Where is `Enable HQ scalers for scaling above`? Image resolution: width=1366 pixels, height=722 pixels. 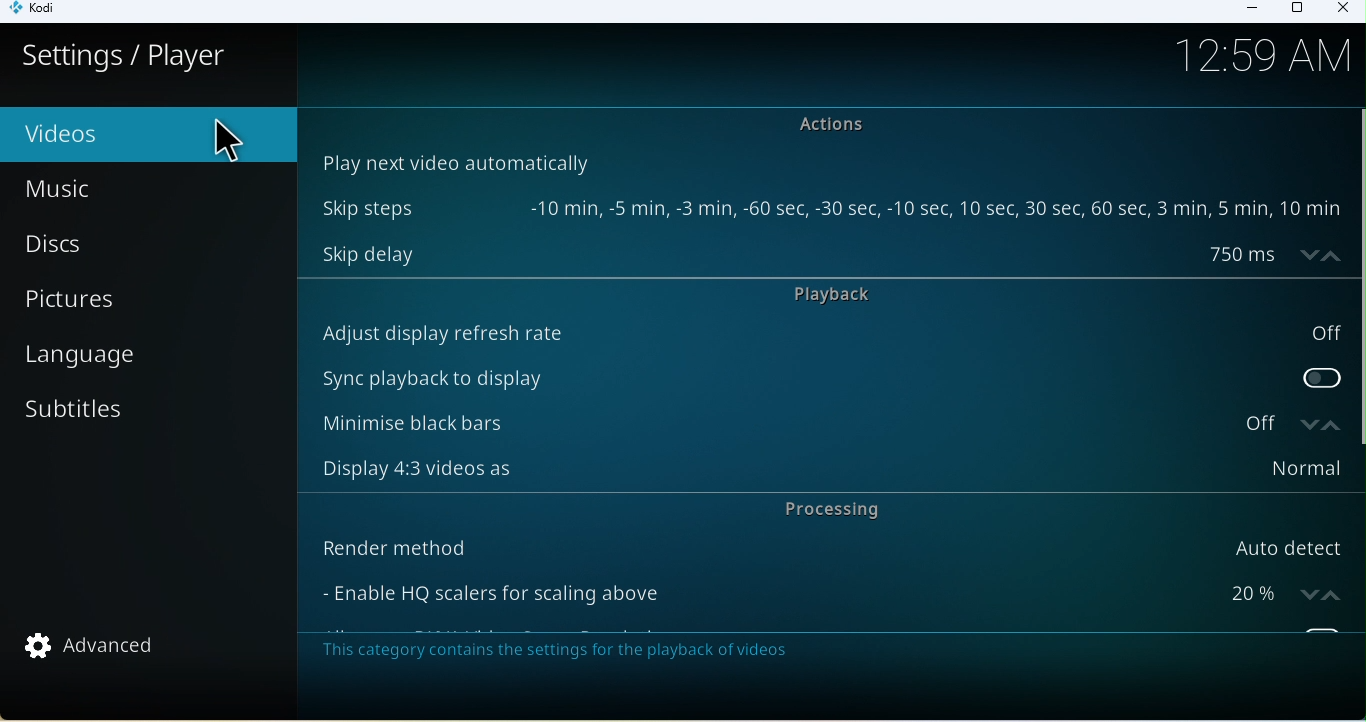
Enable HQ scalers for scaling above is located at coordinates (800, 589).